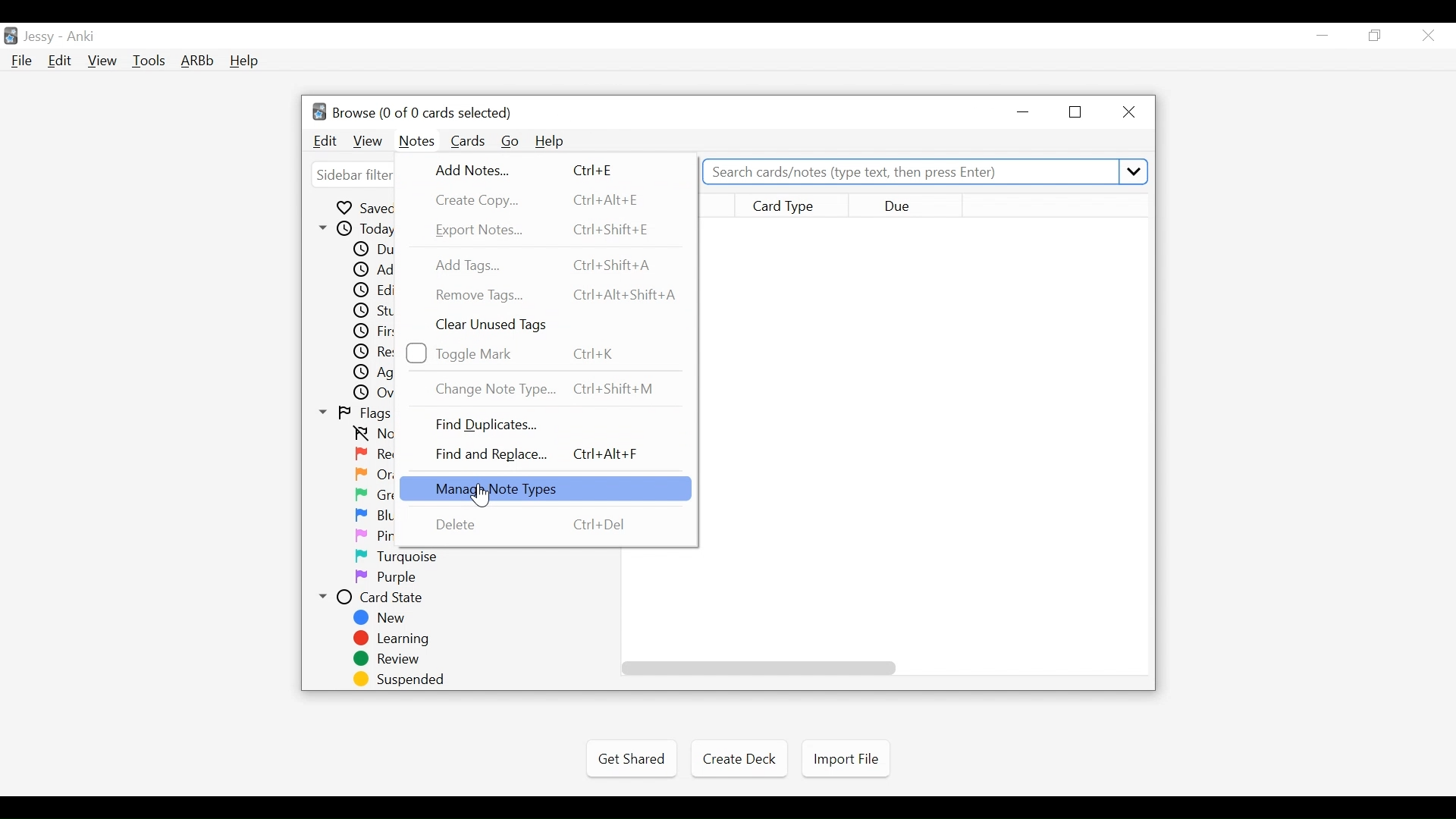  I want to click on Create Copy, so click(544, 200).